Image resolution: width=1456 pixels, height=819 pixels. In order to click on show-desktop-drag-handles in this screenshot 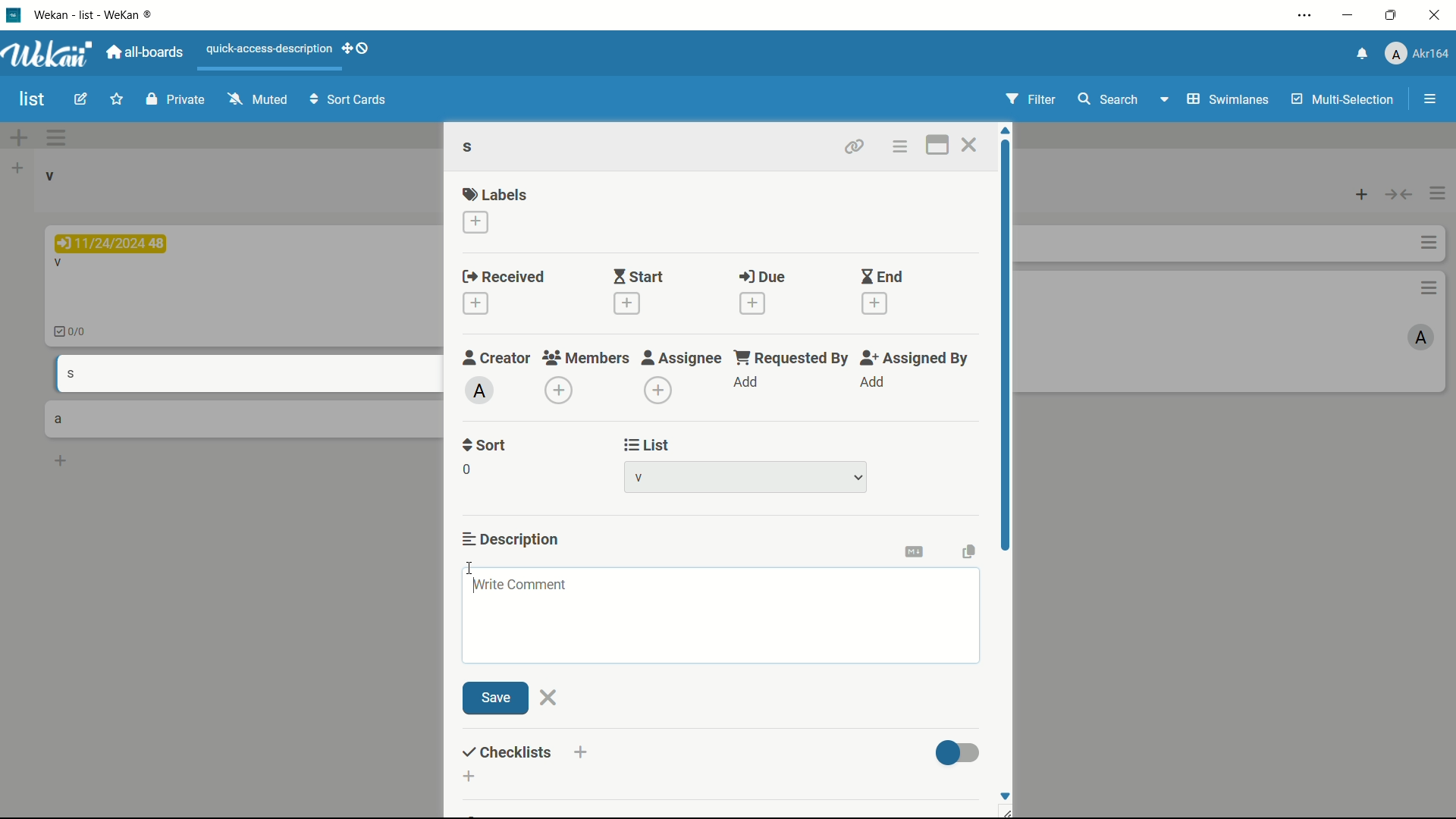, I will do `click(357, 48)`.